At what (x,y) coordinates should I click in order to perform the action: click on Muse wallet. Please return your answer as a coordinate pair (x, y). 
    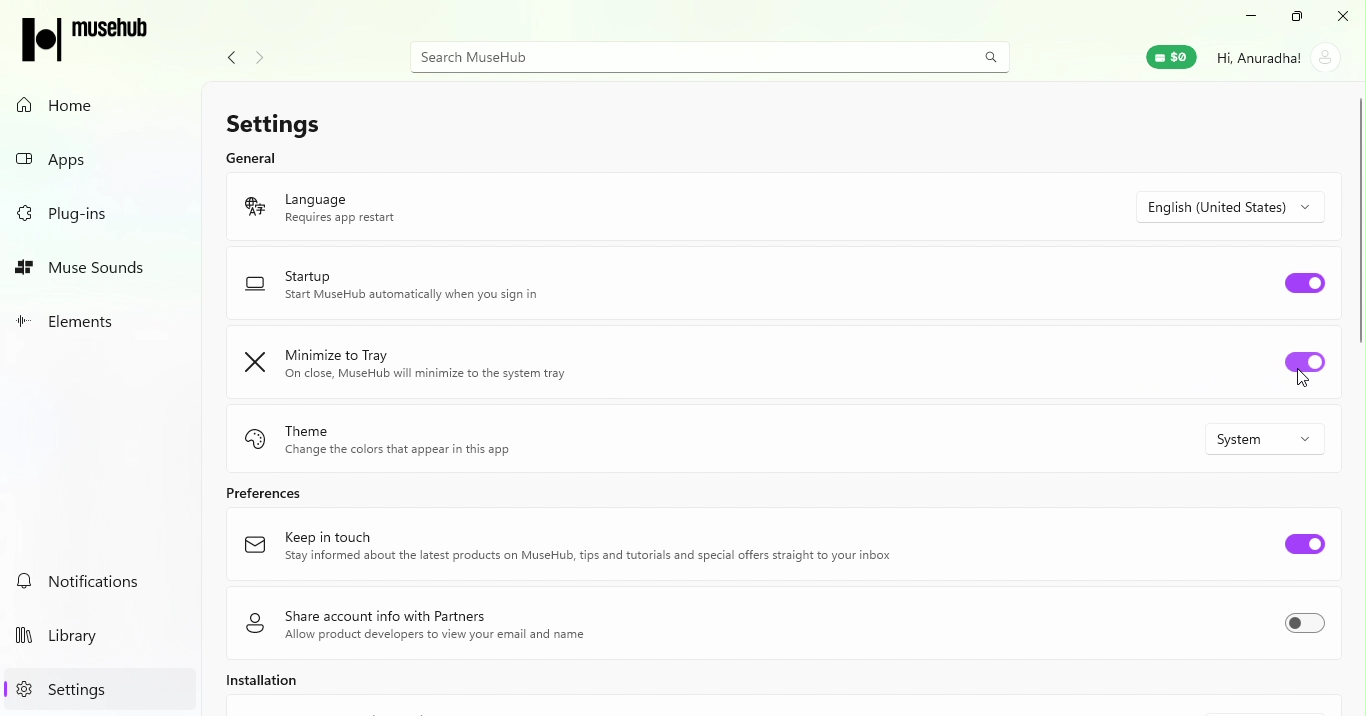
    Looking at the image, I should click on (1174, 61).